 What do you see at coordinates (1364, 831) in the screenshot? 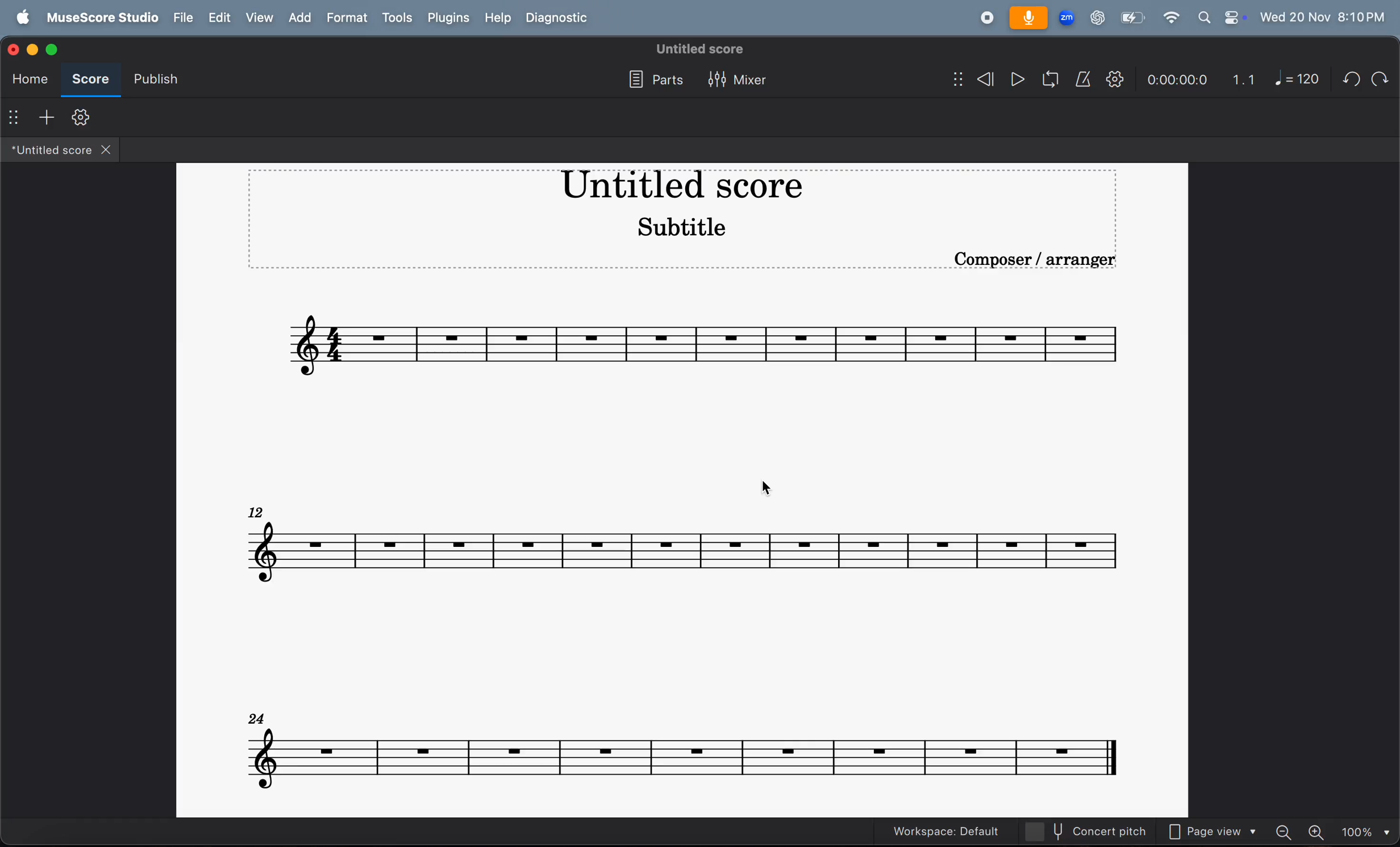
I see `set zoom - 100%` at bounding box center [1364, 831].